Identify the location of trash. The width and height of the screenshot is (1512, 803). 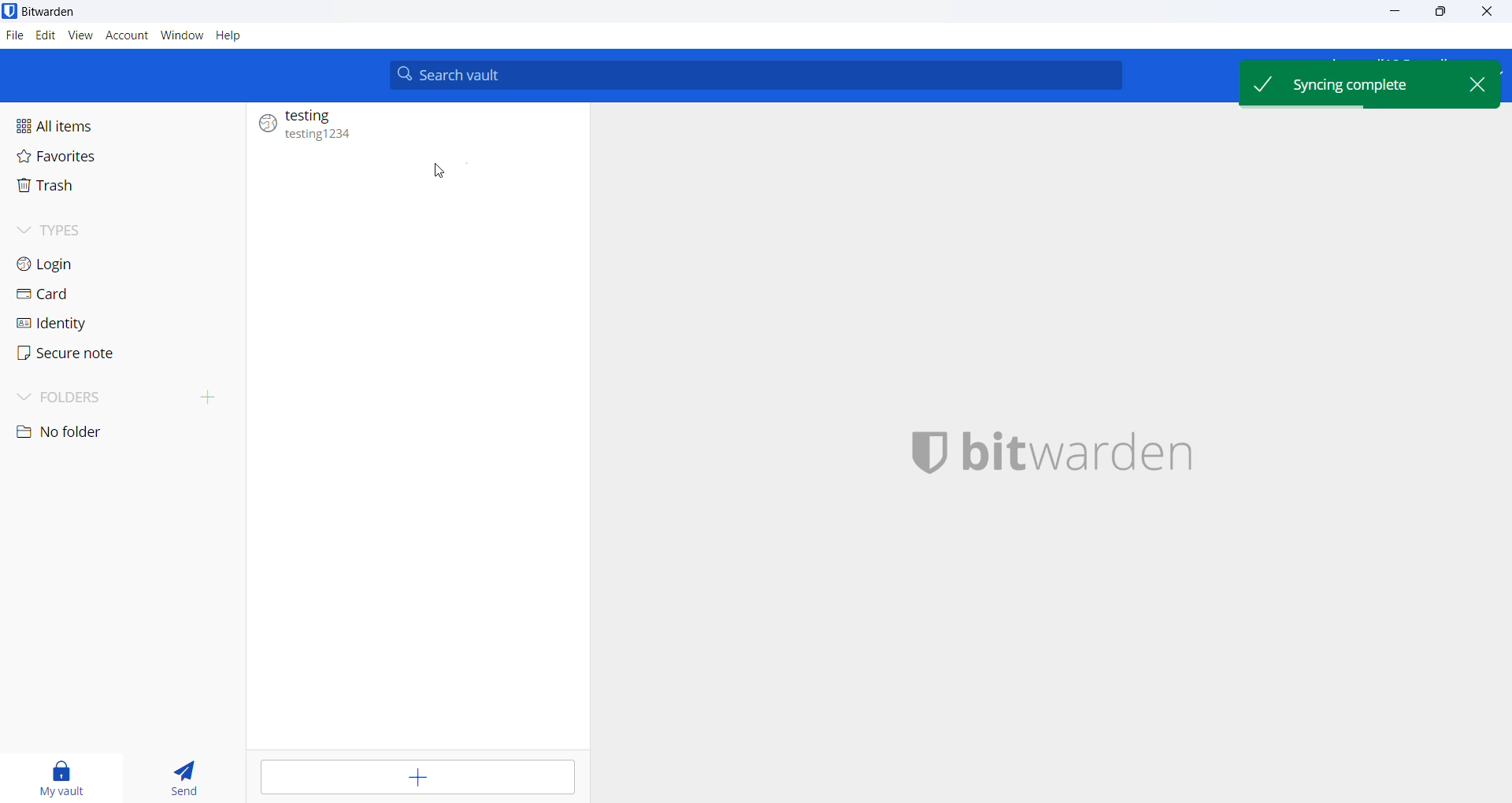
(69, 191).